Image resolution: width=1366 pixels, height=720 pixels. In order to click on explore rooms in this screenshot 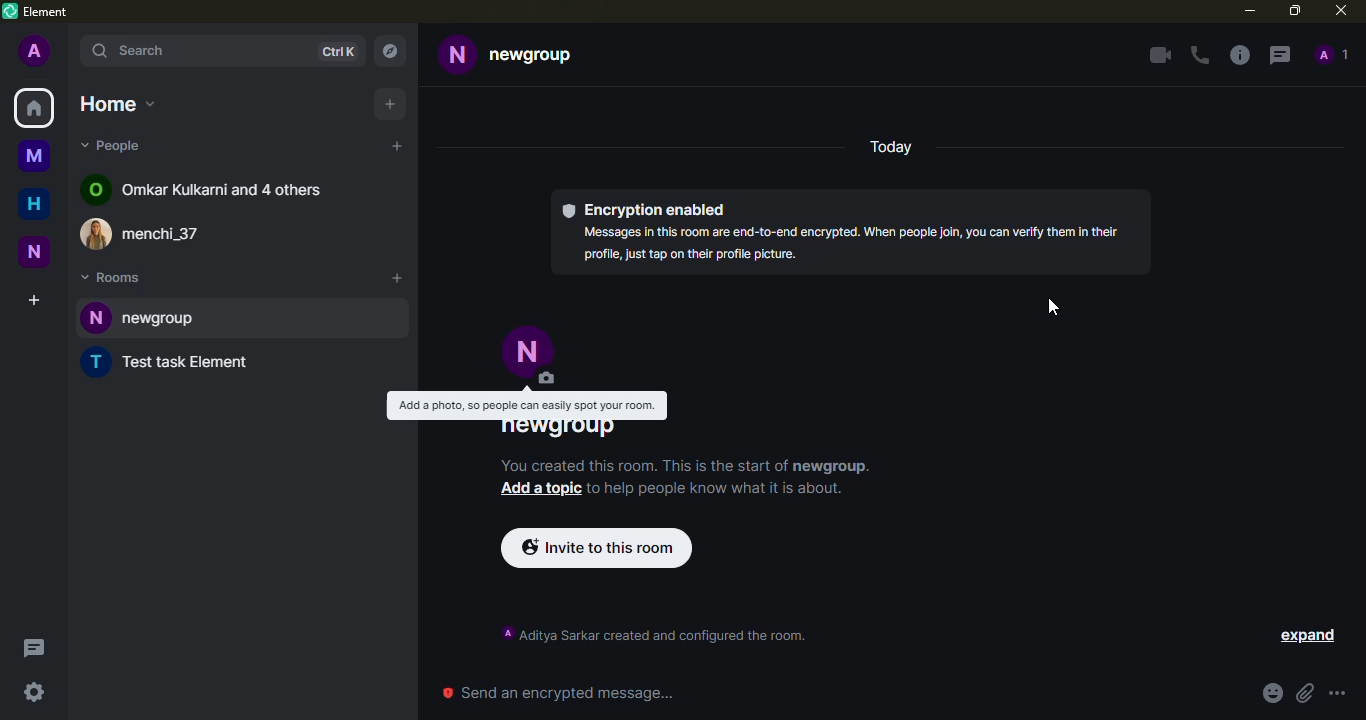, I will do `click(389, 51)`.